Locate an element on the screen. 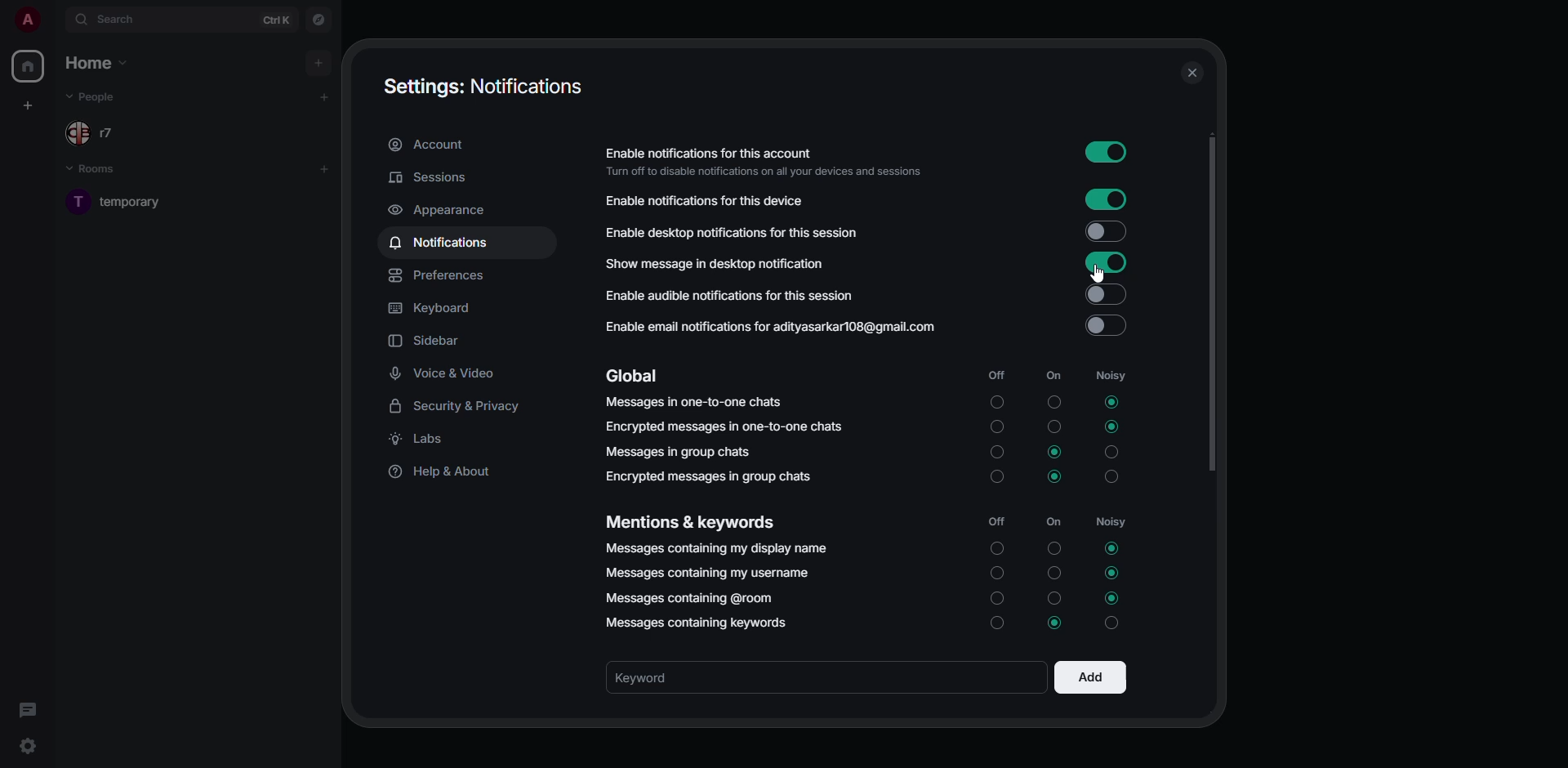 This screenshot has width=1568, height=768. on is located at coordinates (1049, 376).